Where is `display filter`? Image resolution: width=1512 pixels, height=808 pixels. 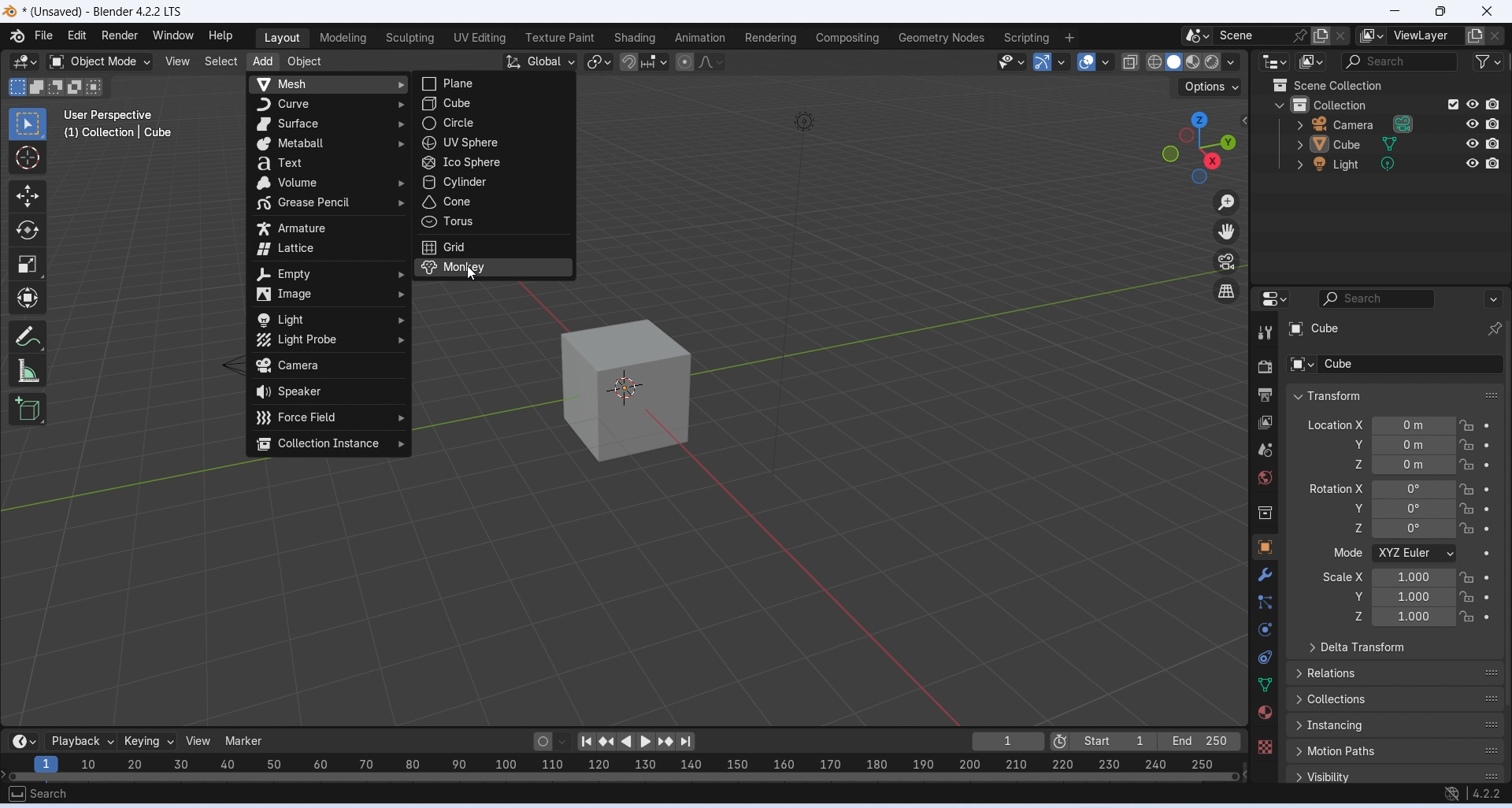
display filter is located at coordinates (1377, 298).